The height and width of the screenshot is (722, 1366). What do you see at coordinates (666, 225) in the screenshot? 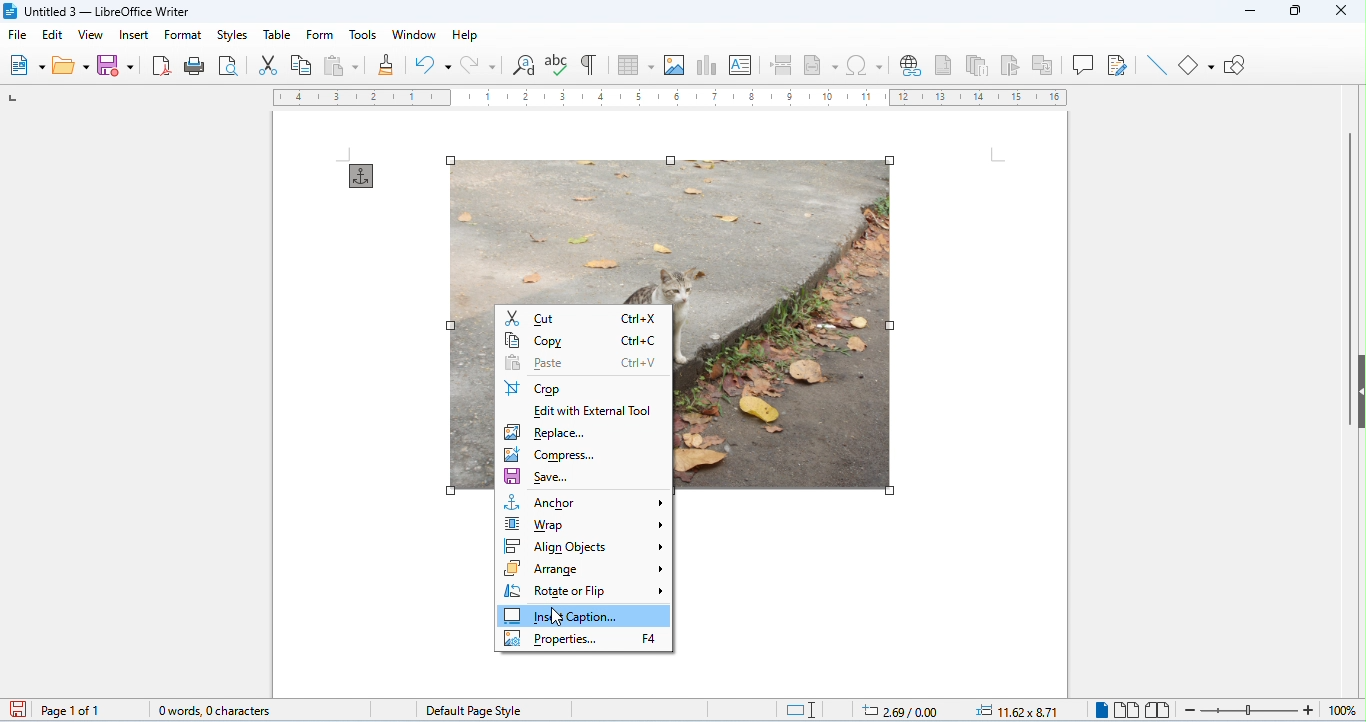
I see `image of cat` at bounding box center [666, 225].